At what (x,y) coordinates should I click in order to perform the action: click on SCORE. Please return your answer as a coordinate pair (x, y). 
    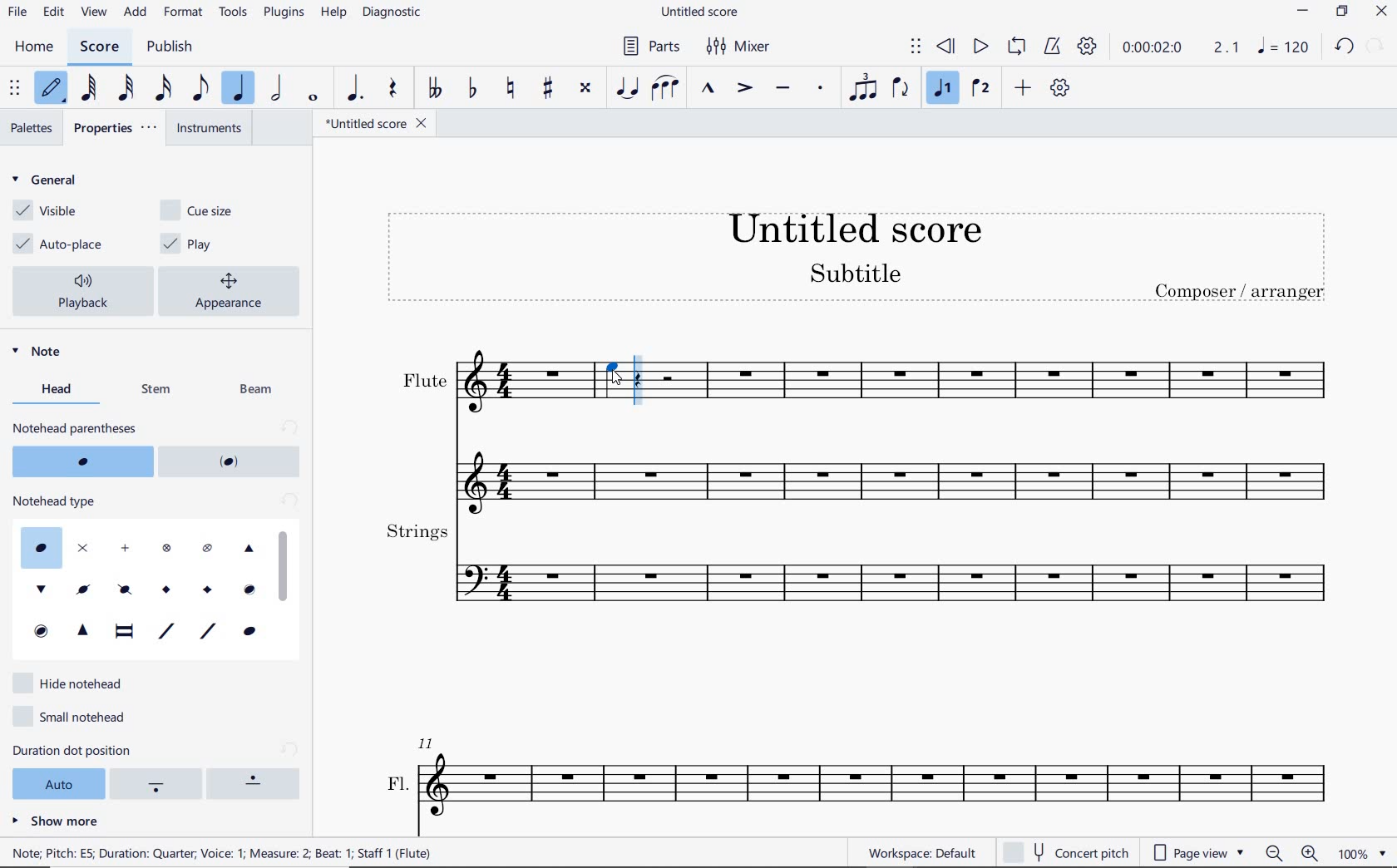
    Looking at the image, I should click on (101, 46).